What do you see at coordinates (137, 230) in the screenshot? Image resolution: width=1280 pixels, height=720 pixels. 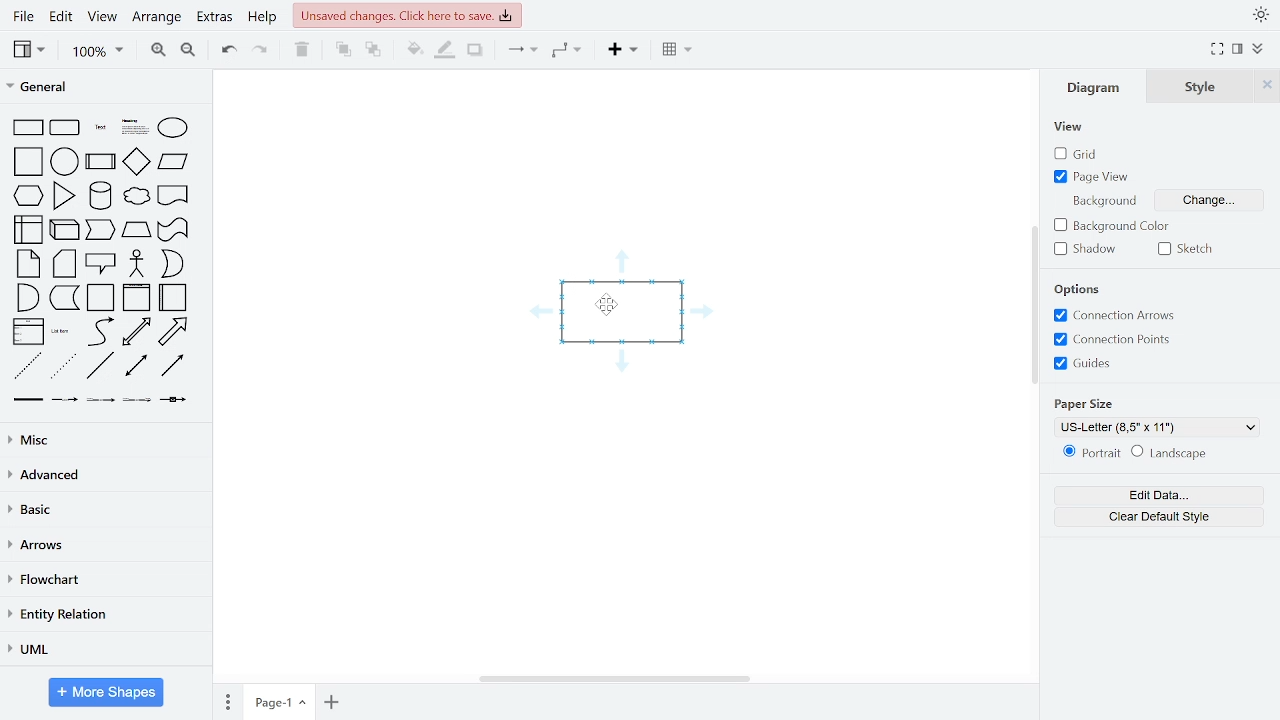 I see `step` at bounding box center [137, 230].